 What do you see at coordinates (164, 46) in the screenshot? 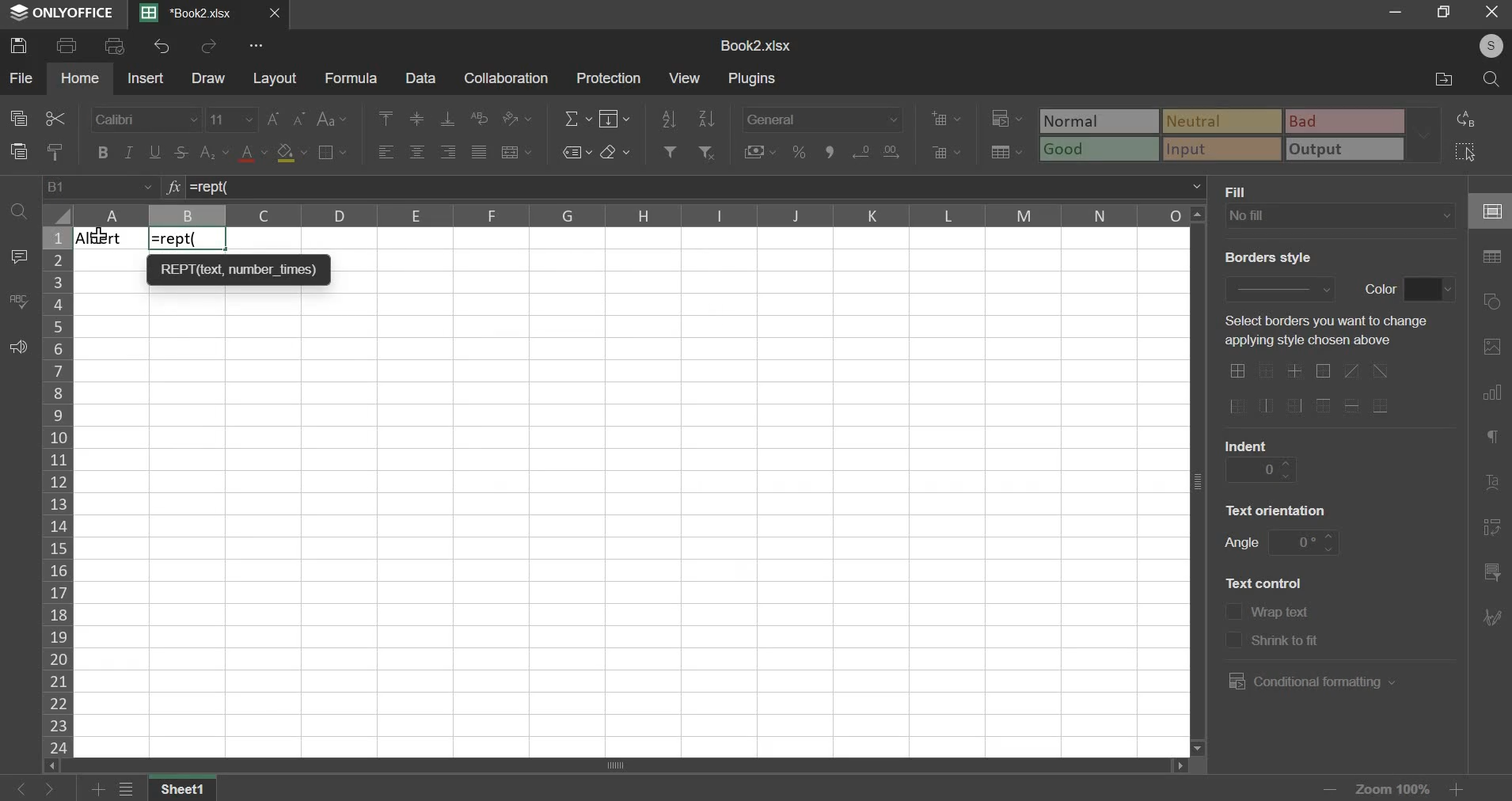
I see `undo` at bounding box center [164, 46].